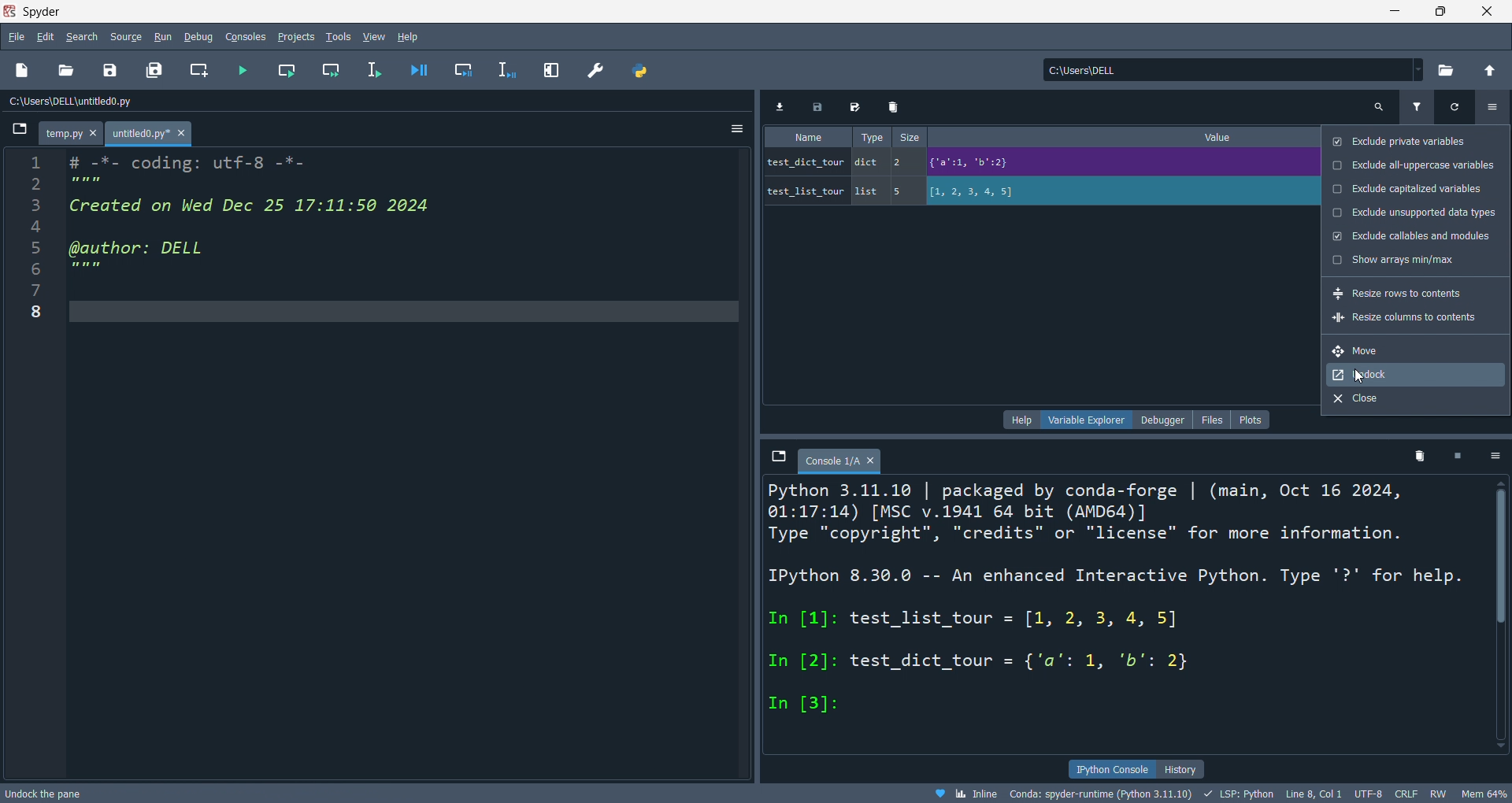 The image size is (1512, 803). I want to click on size, so click(910, 138).